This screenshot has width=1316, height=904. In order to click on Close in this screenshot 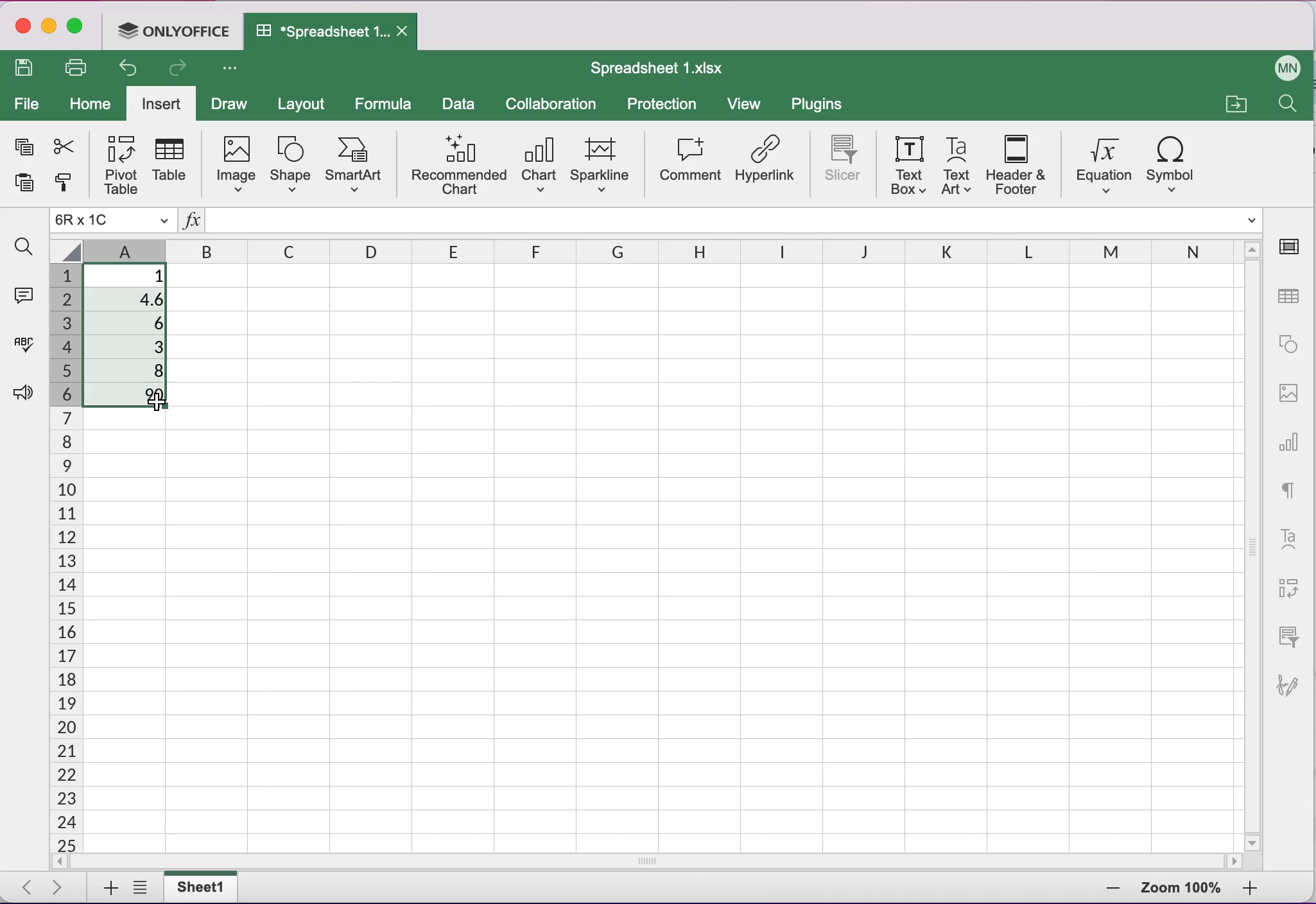, I will do `click(407, 31)`.